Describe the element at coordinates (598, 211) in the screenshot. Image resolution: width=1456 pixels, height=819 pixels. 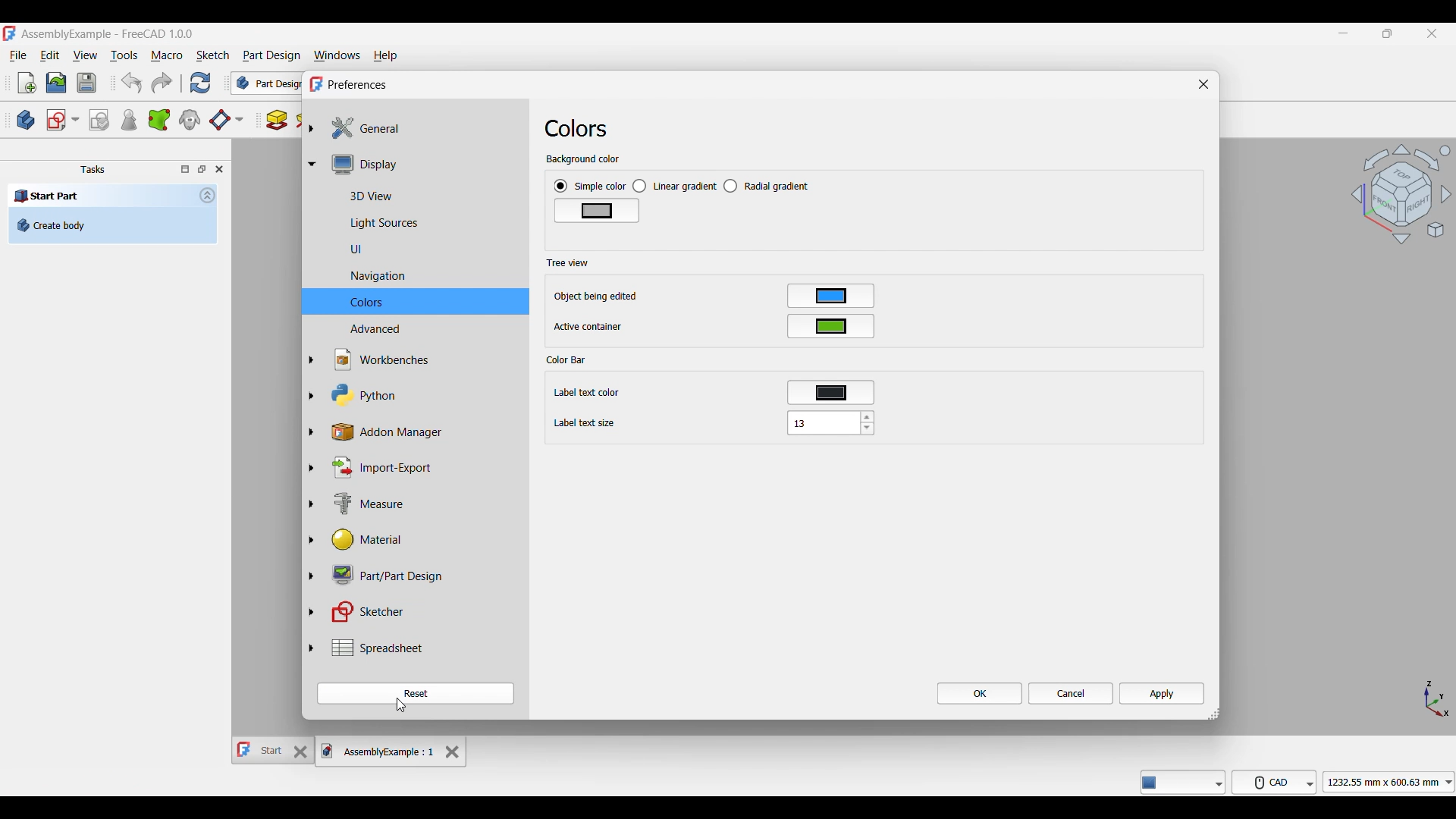
I see `Color setting for background color` at that location.